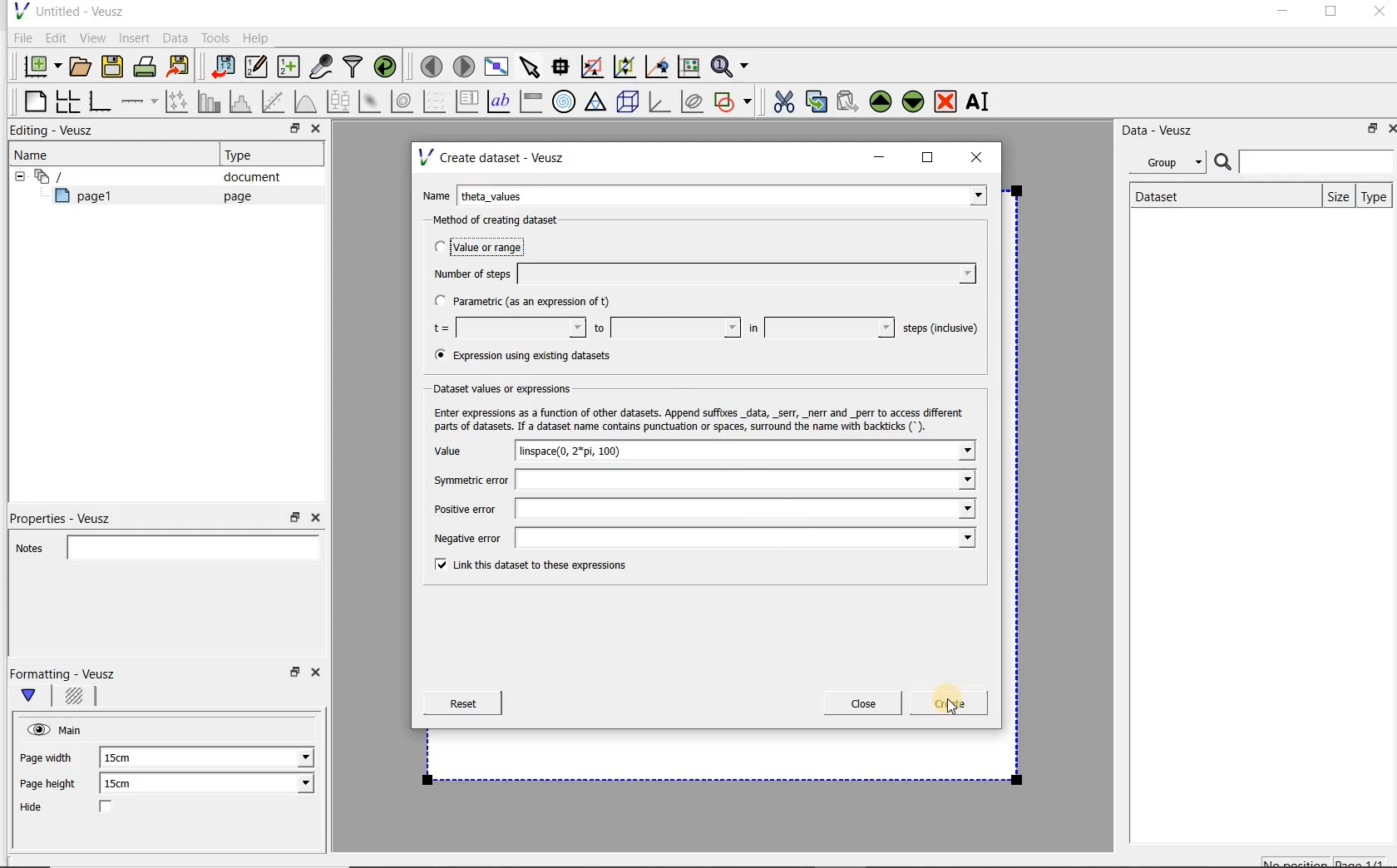  What do you see at coordinates (982, 156) in the screenshot?
I see `close` at bounding box center [982, 156].